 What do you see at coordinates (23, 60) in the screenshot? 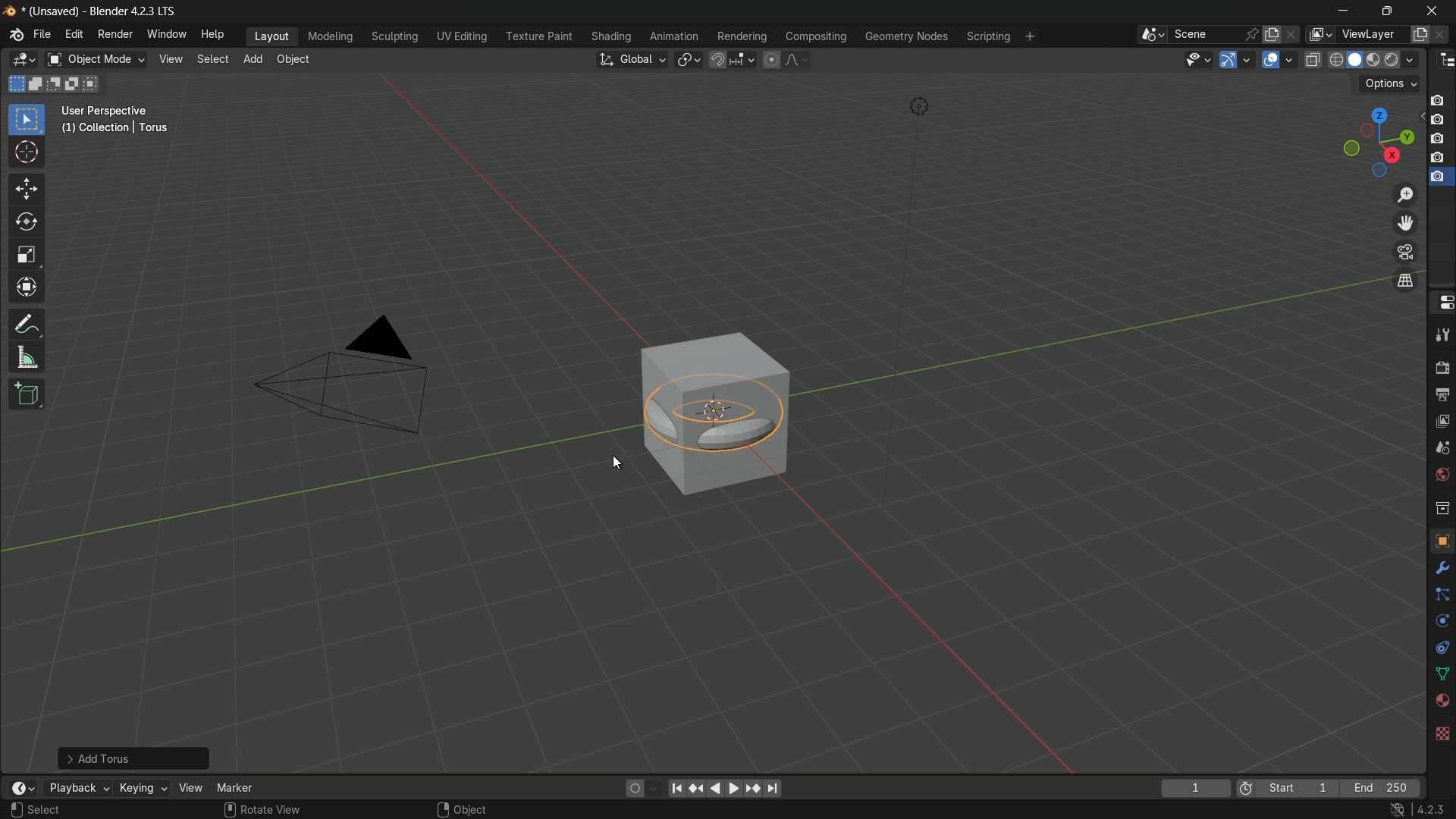
I see `3D viewport` at bounding box center [23, 60].